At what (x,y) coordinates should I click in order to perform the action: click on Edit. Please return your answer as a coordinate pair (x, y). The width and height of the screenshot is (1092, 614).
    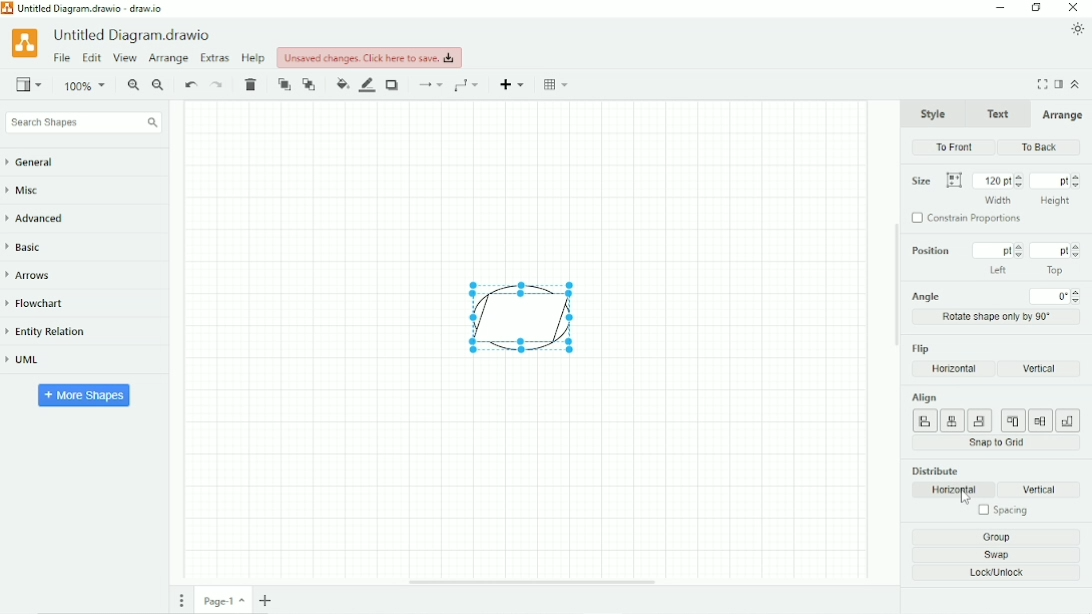
    Looking at the image, I should click on (91, 59).